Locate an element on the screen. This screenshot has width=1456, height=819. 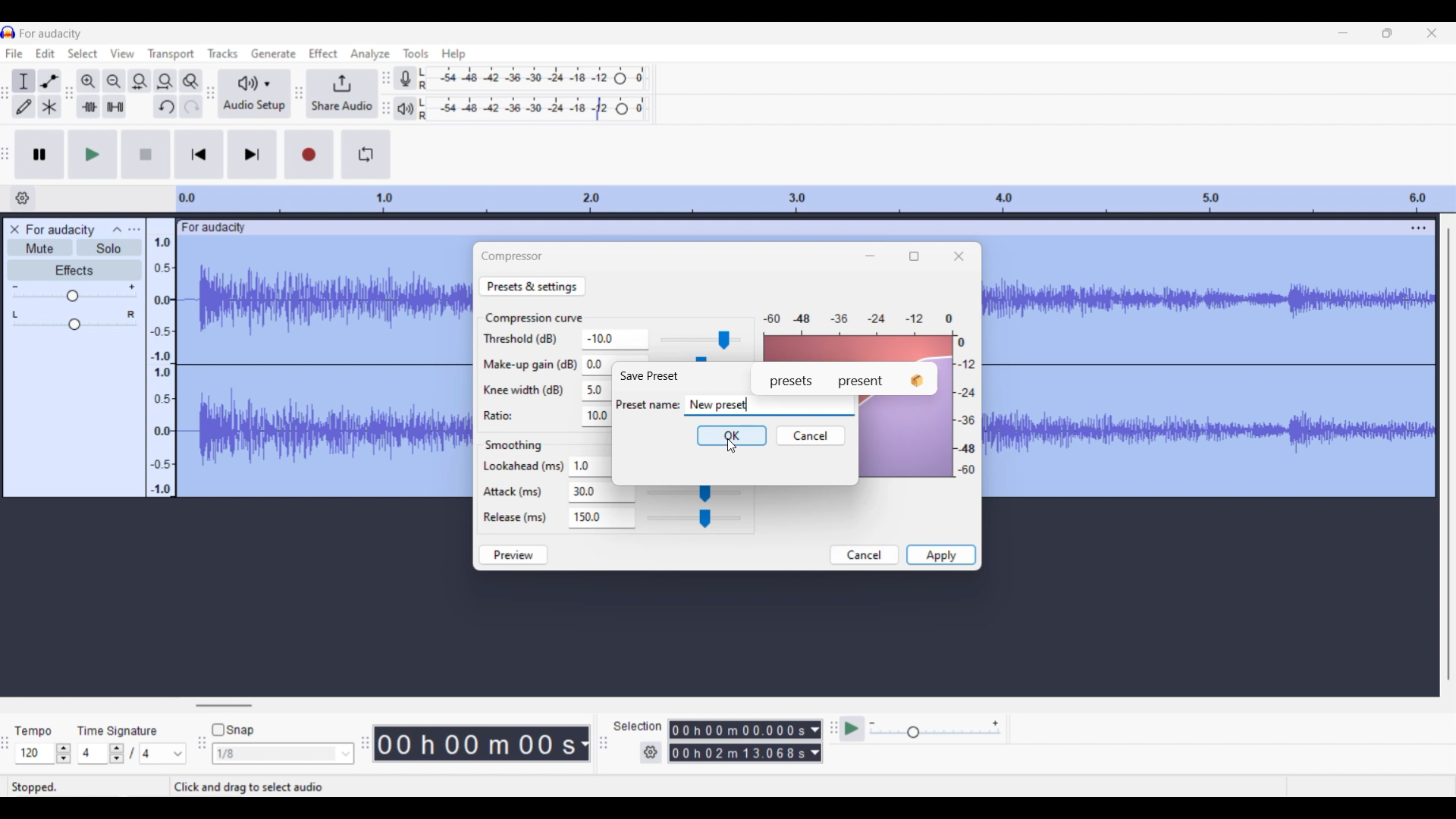
Release slider is located at coordinates (695, 518).